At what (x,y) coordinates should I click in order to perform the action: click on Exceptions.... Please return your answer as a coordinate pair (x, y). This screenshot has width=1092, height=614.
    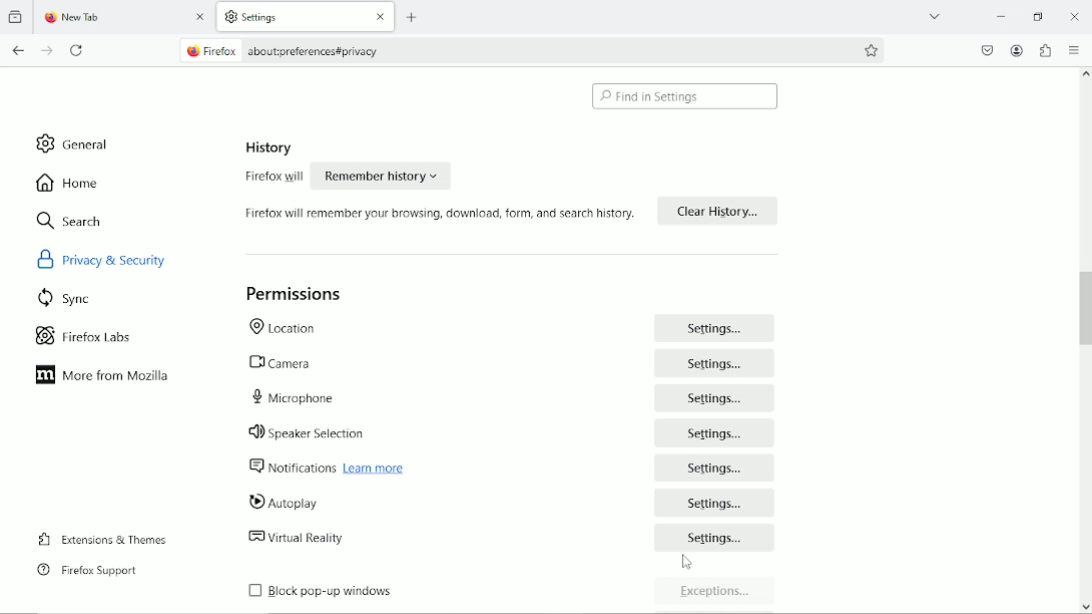
    Looking at the image, I should click on (717, 593).